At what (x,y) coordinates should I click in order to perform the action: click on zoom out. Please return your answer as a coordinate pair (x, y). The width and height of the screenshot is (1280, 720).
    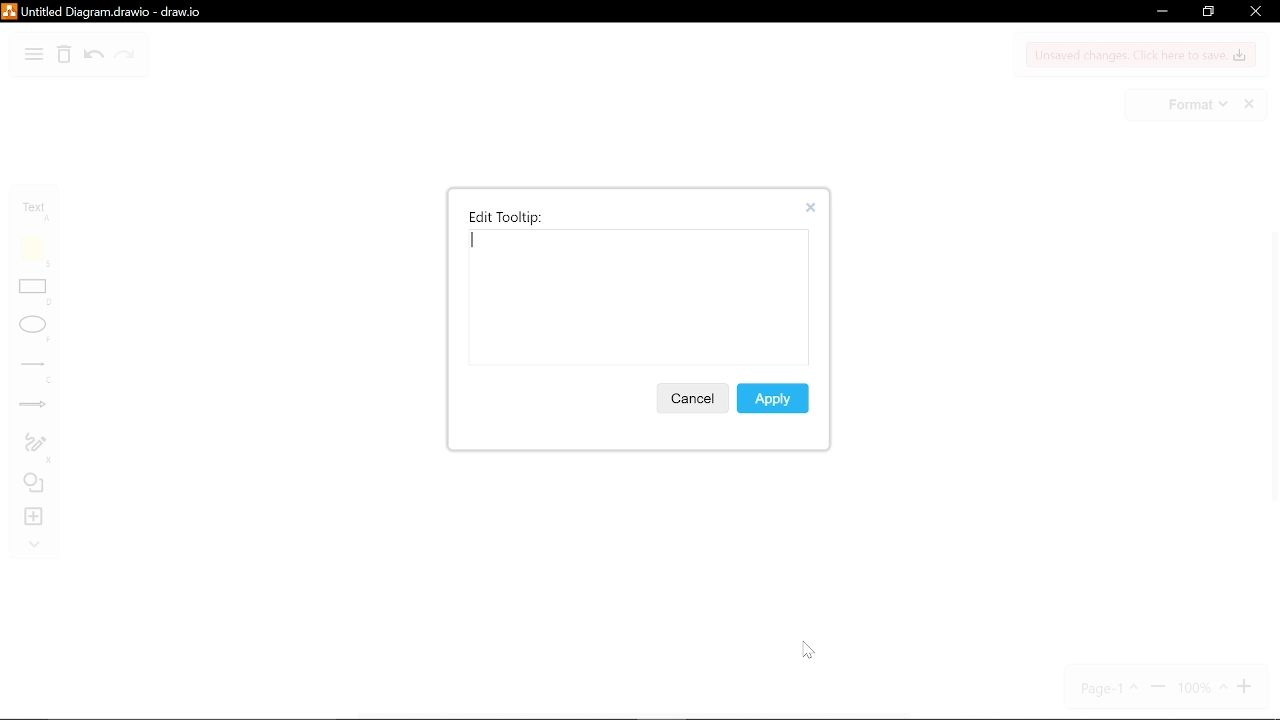
    Looking at the image, I should click on (1158, 688).